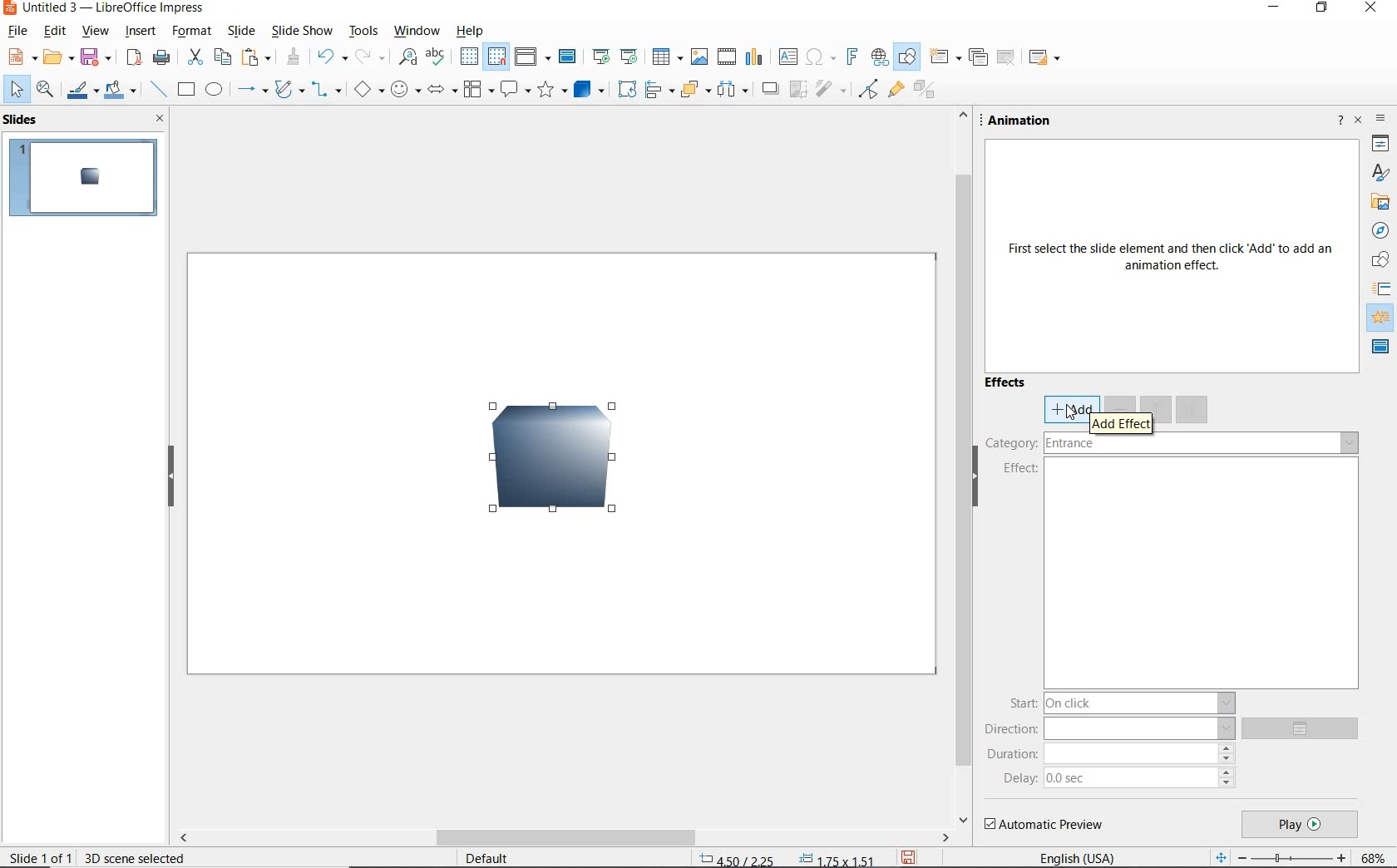  What do you see at coordinates (214, 91) in the screenshot?
I see `ellipse` at bounding box center [214, 91].